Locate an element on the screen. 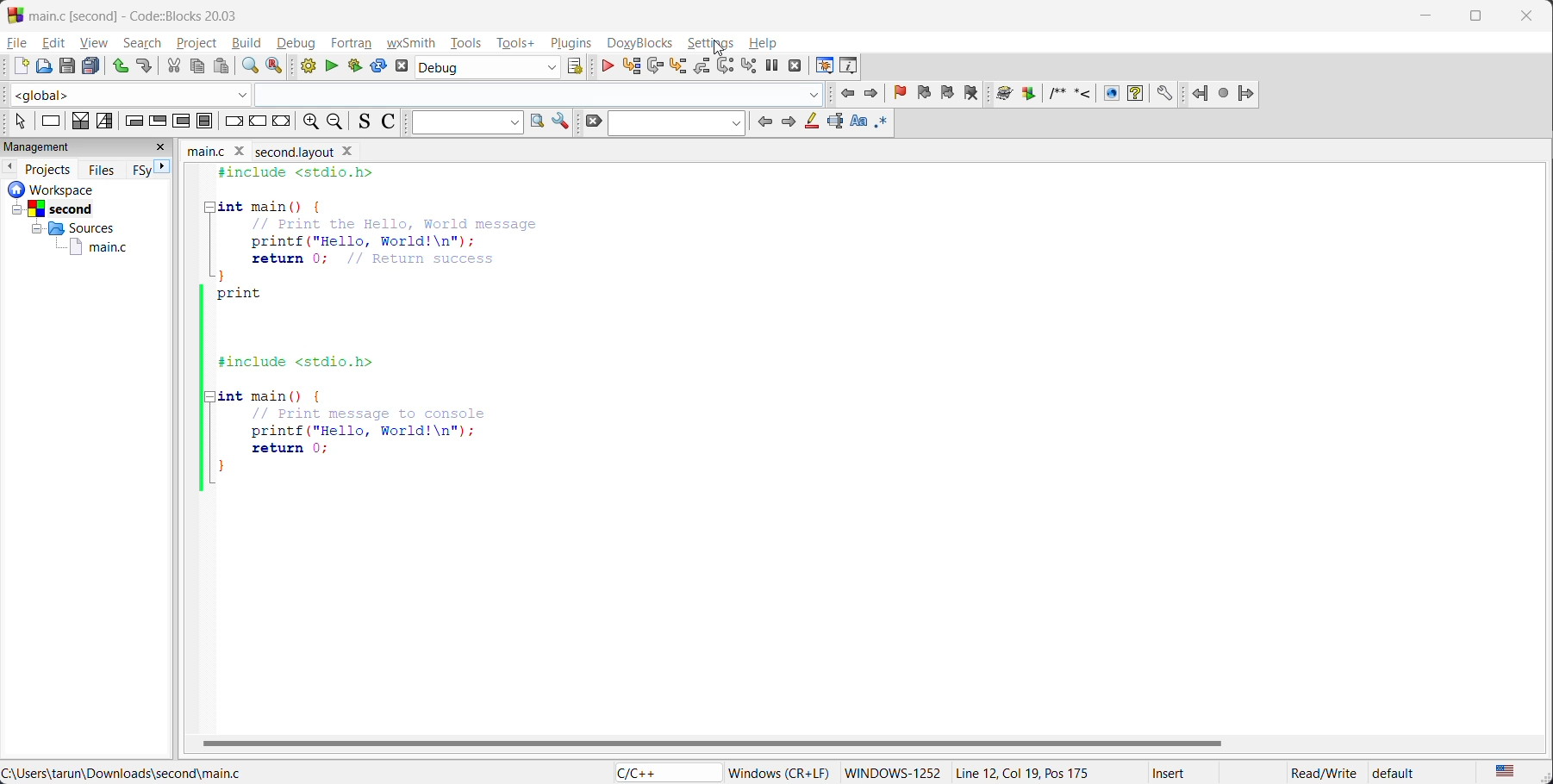  Windows-1252 is located at coordinates (895, 770).